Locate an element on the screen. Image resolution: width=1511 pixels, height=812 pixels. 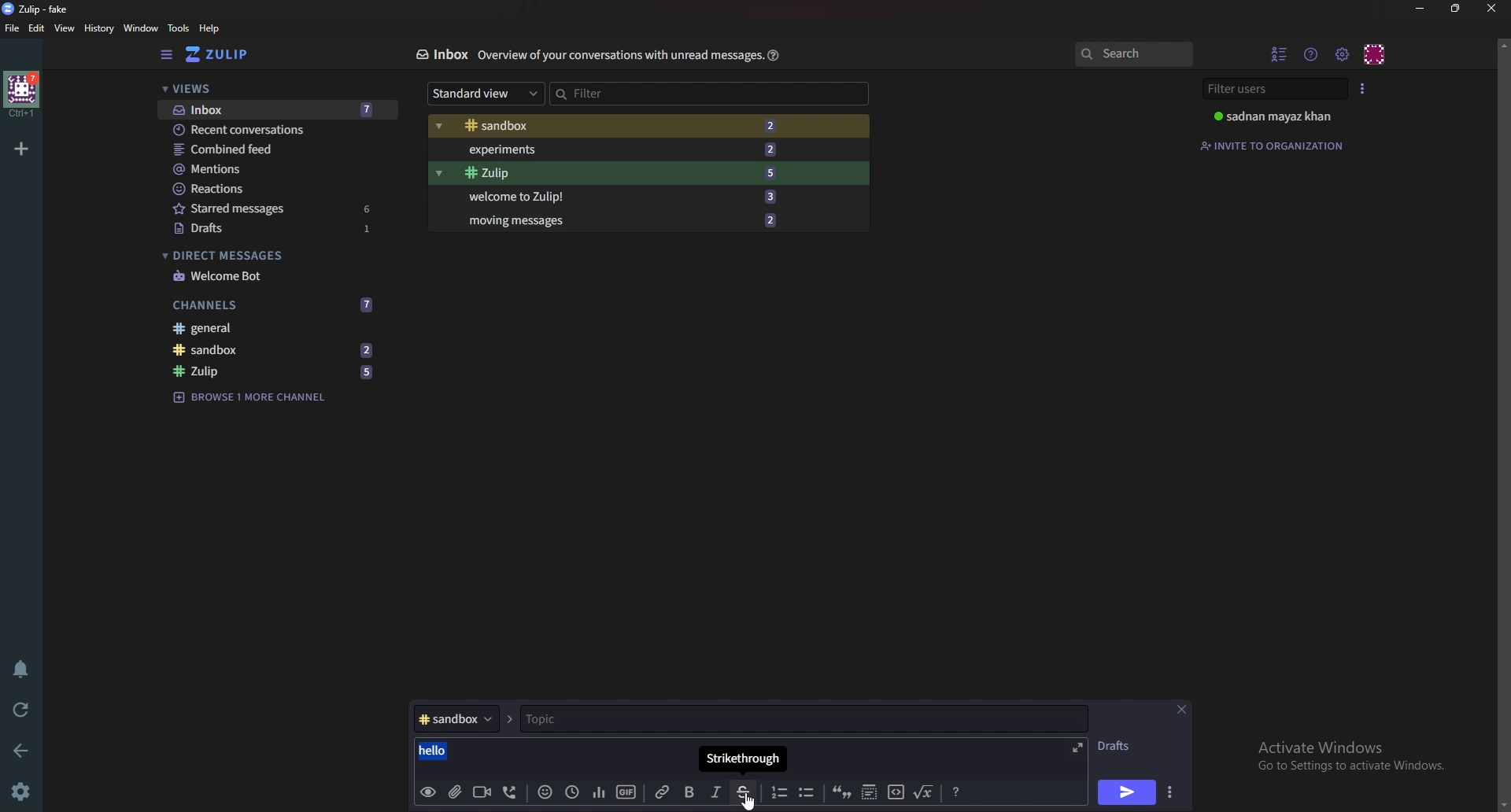
Welcome to Zulip is located at coordinates (620, 197).